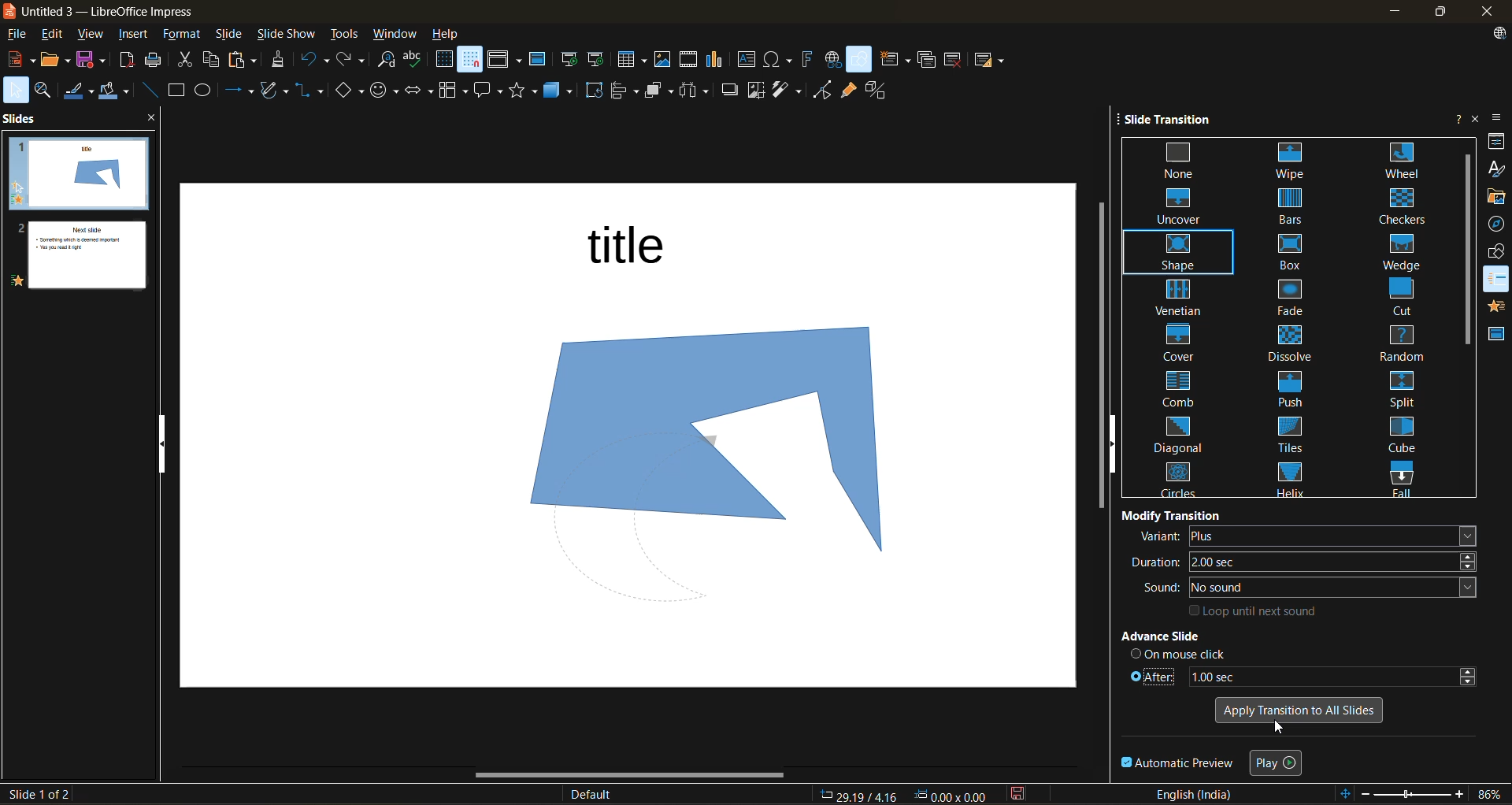  Describe the element at coordinates (274, 91) in the screenshot. I see `curves and polygons` at that location.